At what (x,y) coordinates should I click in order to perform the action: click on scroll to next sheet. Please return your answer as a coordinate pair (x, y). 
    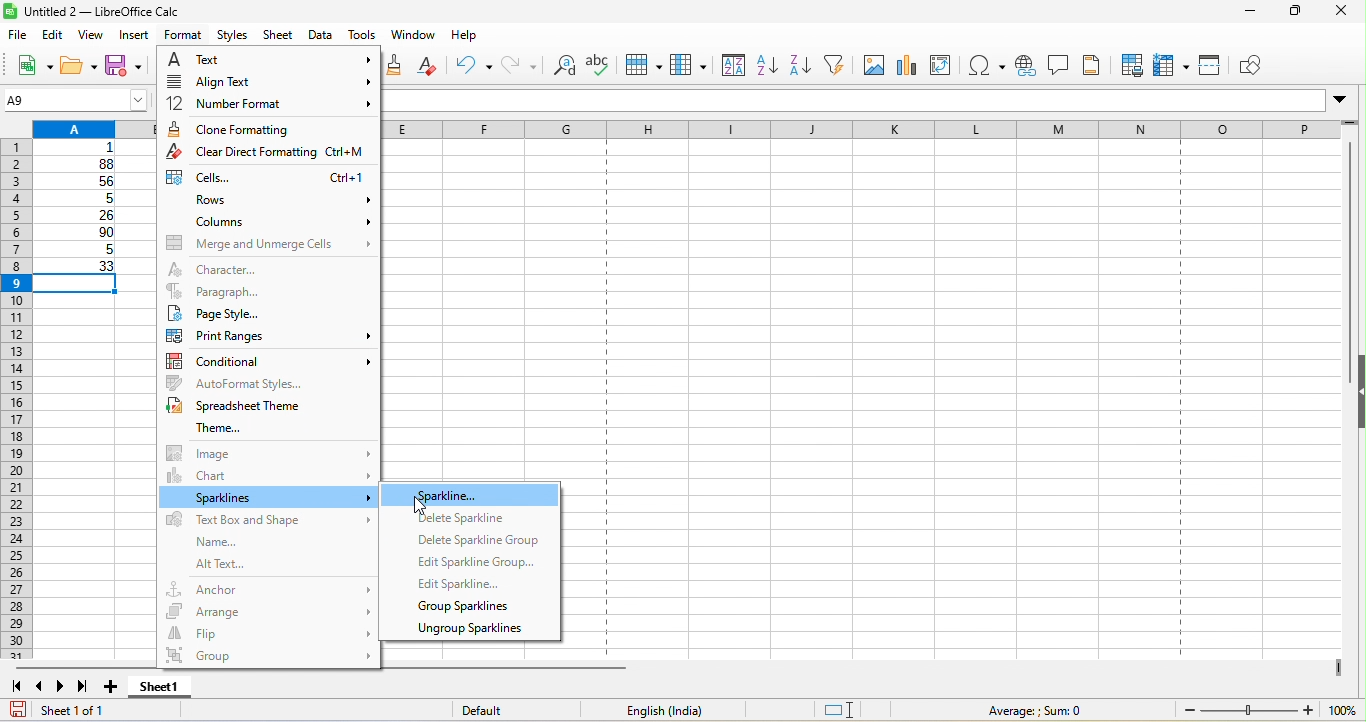
    Looking at the image, I should click on (65, 689).